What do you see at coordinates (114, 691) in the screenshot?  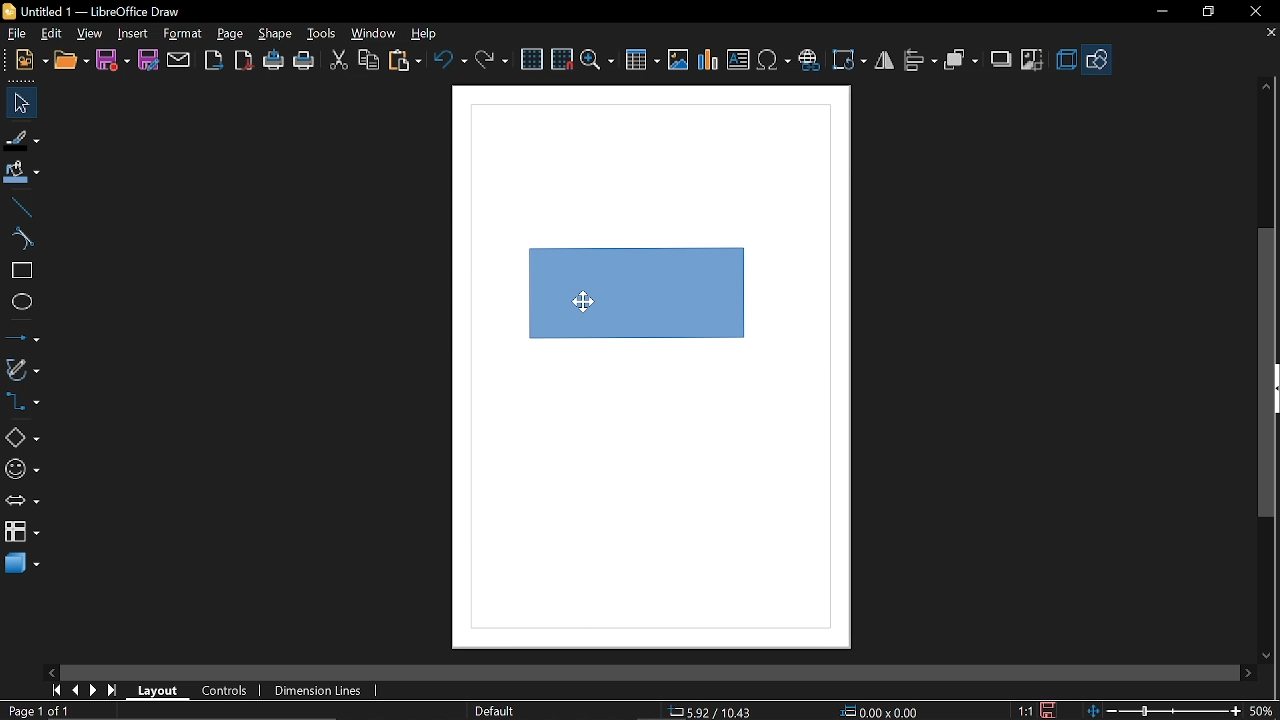 I see `go to last page` at bounding box center [114, 691].